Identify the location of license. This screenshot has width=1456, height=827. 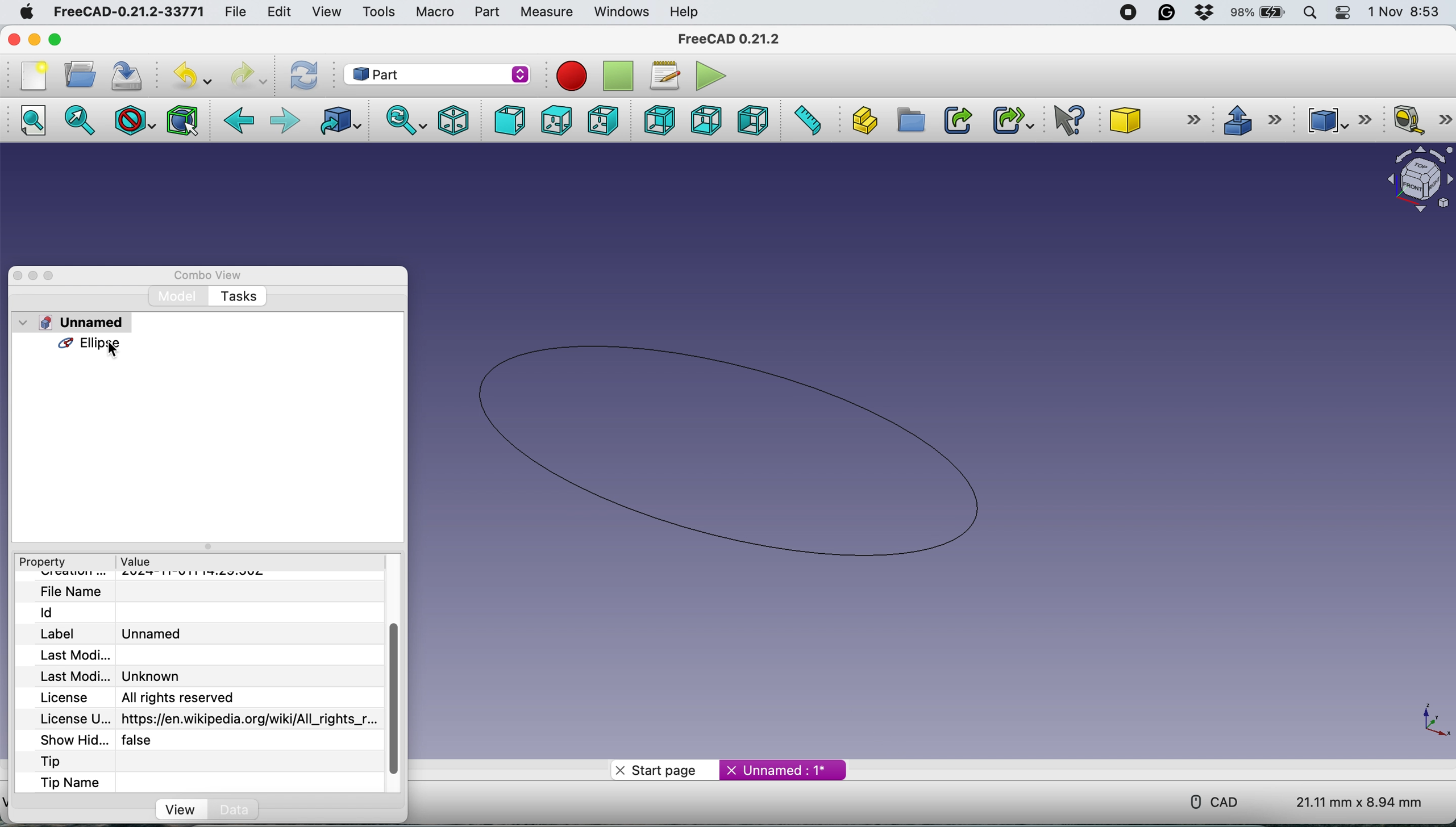
(144, 695).